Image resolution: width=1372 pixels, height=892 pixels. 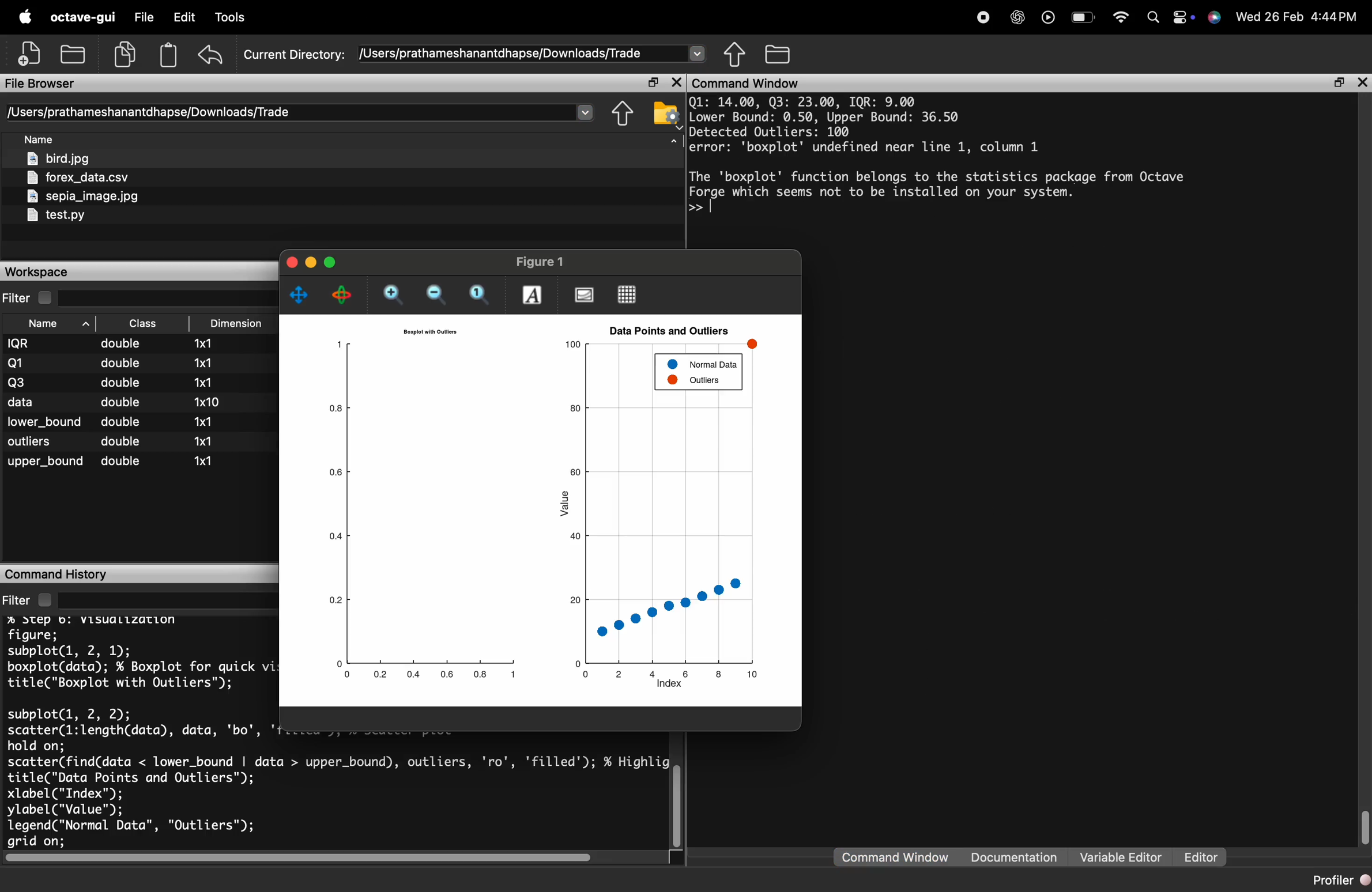 What do you see at coordinates (586, 111) in the screenshot?
I see `Drop-down ` at bounding box center [586, 111].